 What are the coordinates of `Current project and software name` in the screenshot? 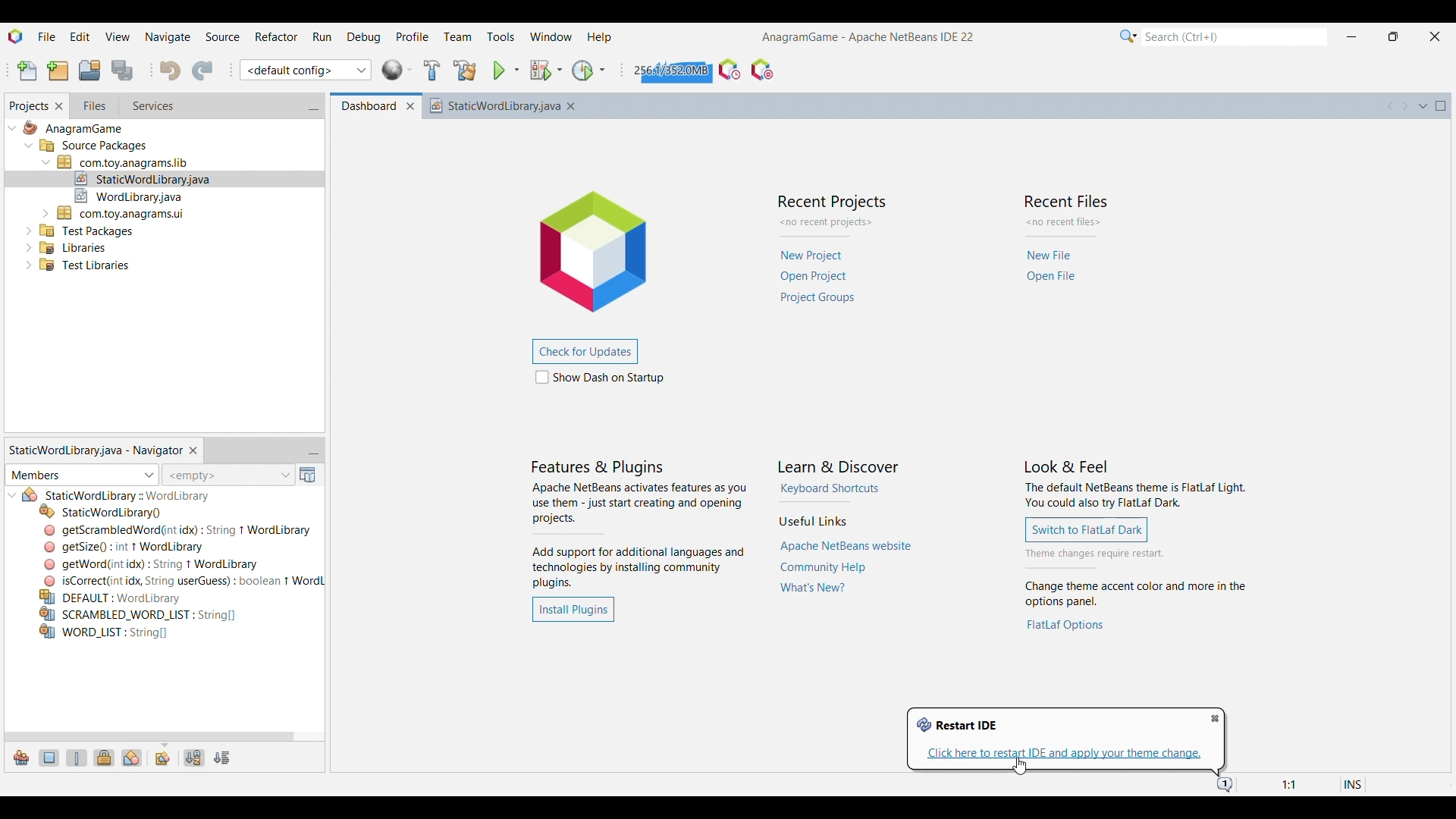 It's located at (868, 37).